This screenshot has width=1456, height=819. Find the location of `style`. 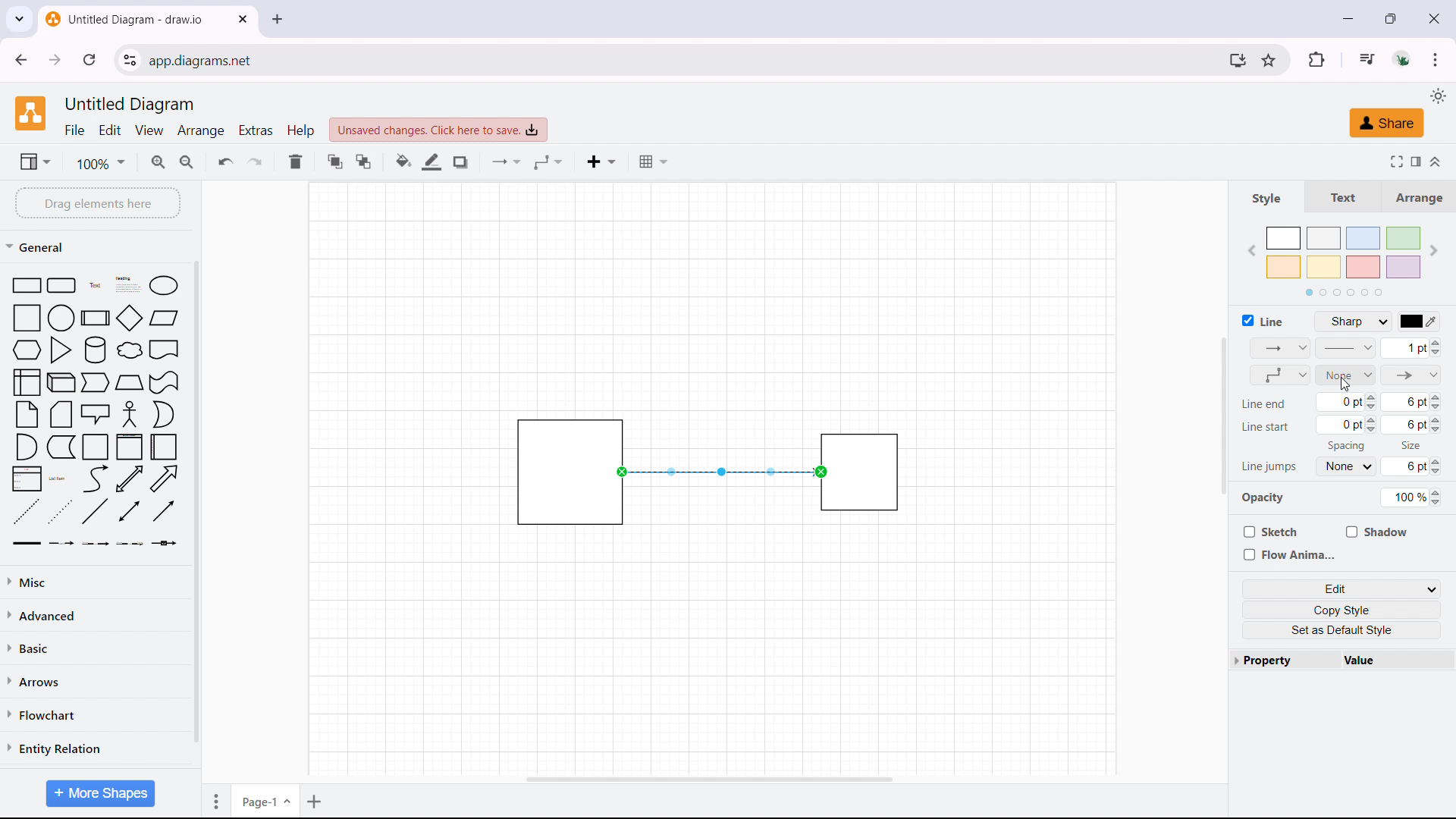

style is located at coordinates (1265, 198).